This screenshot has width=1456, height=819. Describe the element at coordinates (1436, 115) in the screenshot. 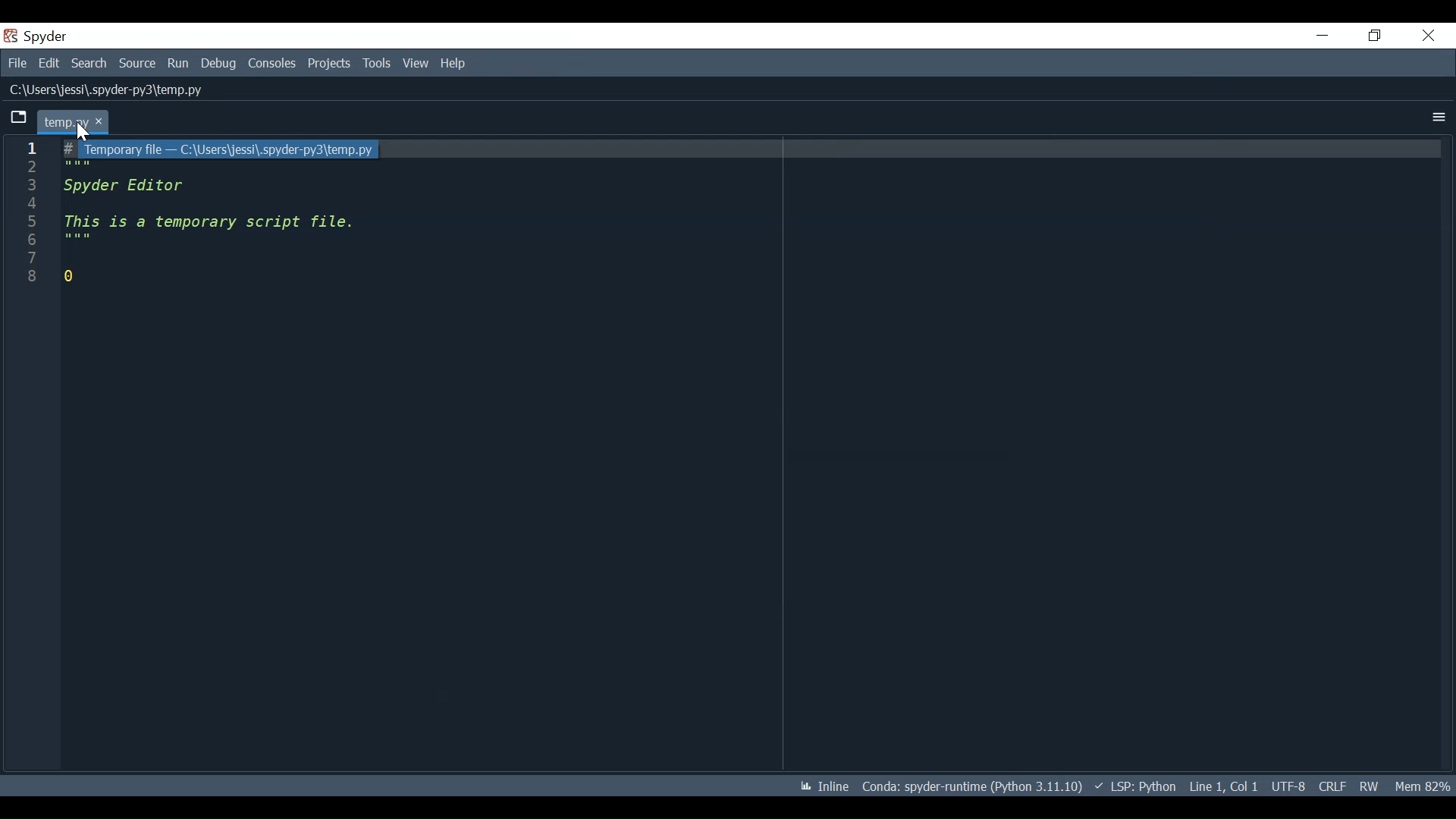

I see `More Options` at that location.